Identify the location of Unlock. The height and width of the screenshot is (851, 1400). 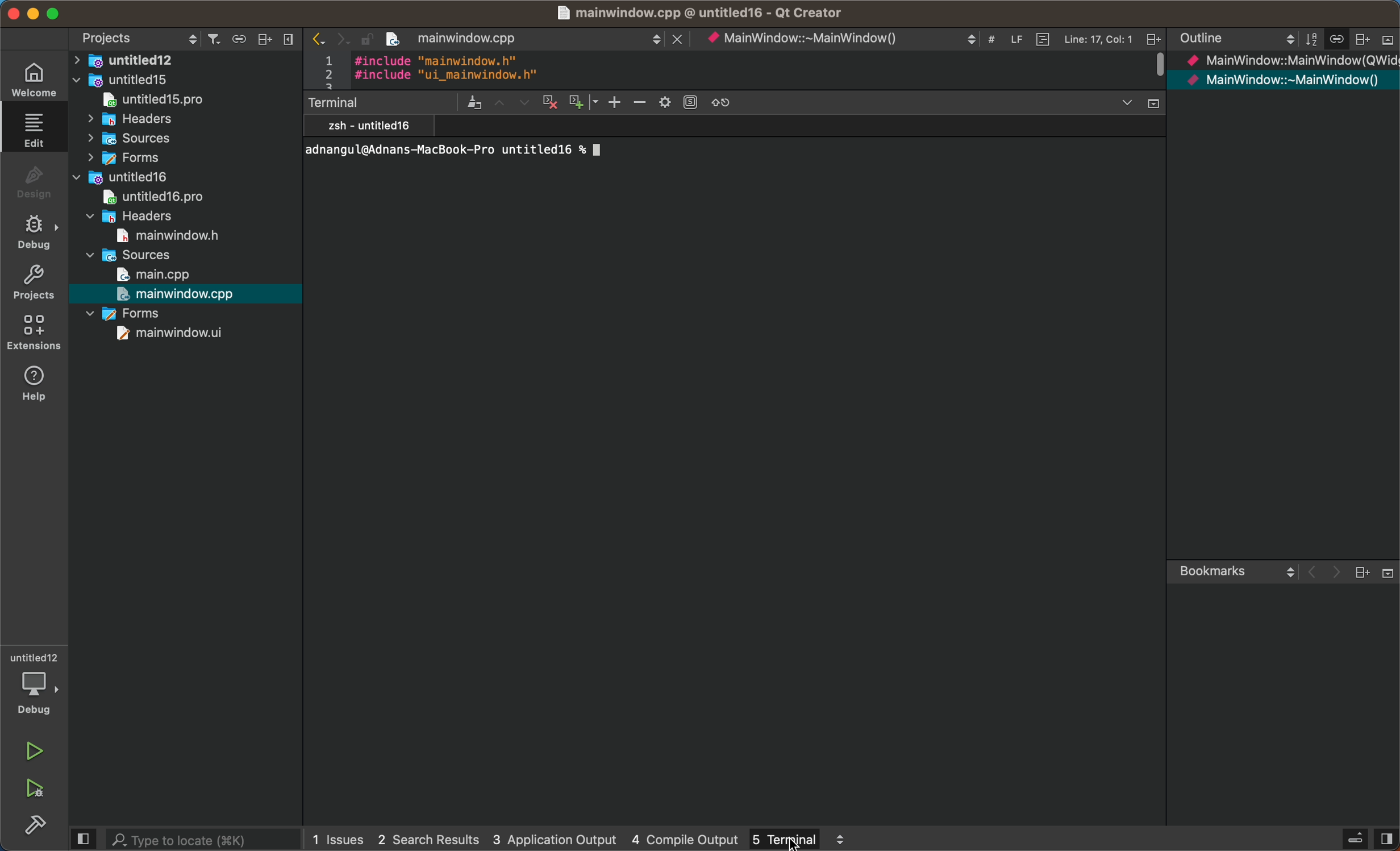
(364, 38).